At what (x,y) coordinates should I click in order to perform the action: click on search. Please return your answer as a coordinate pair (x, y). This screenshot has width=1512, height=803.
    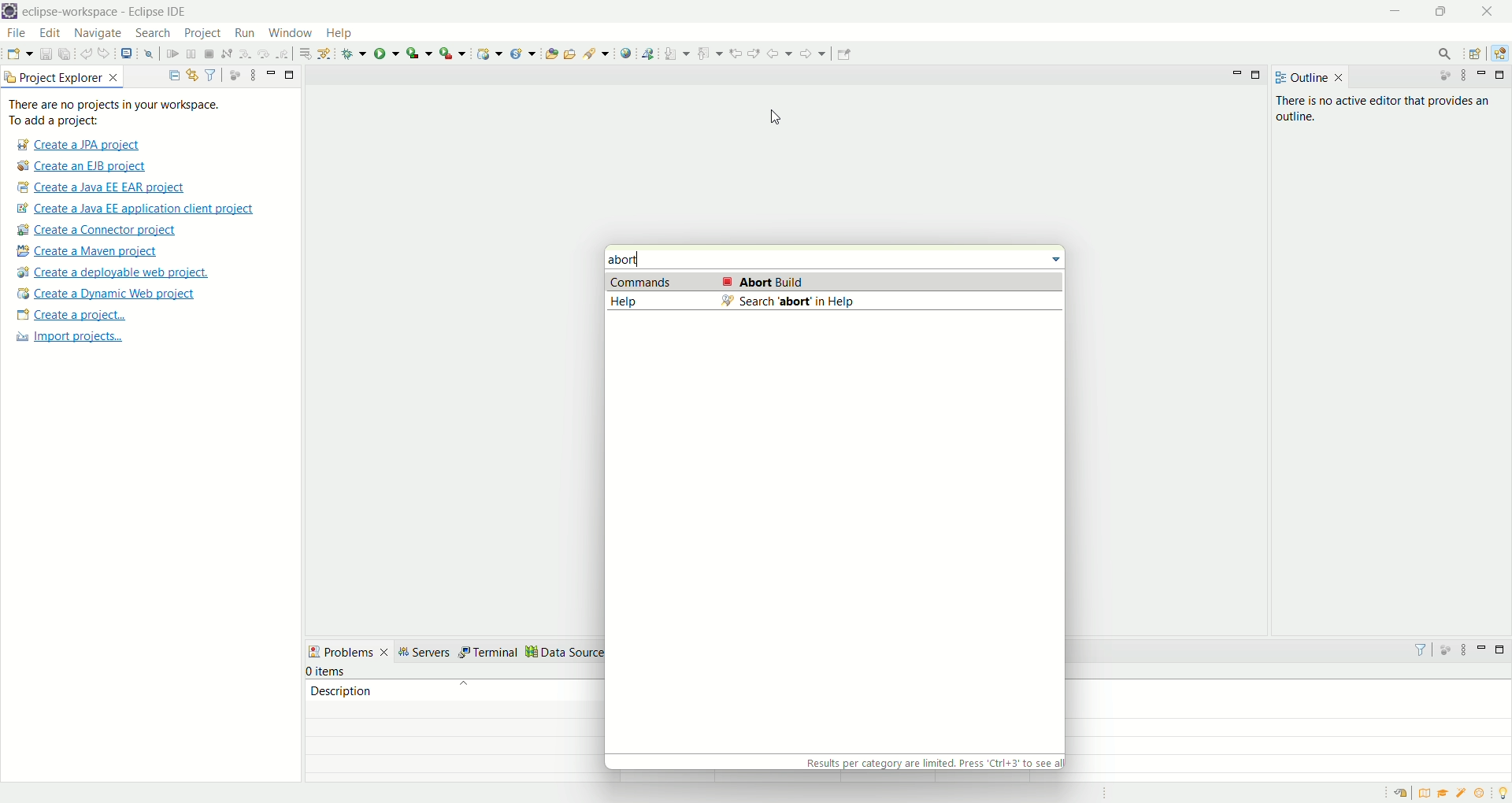
    Looking at the image, I should click on (154, 34).